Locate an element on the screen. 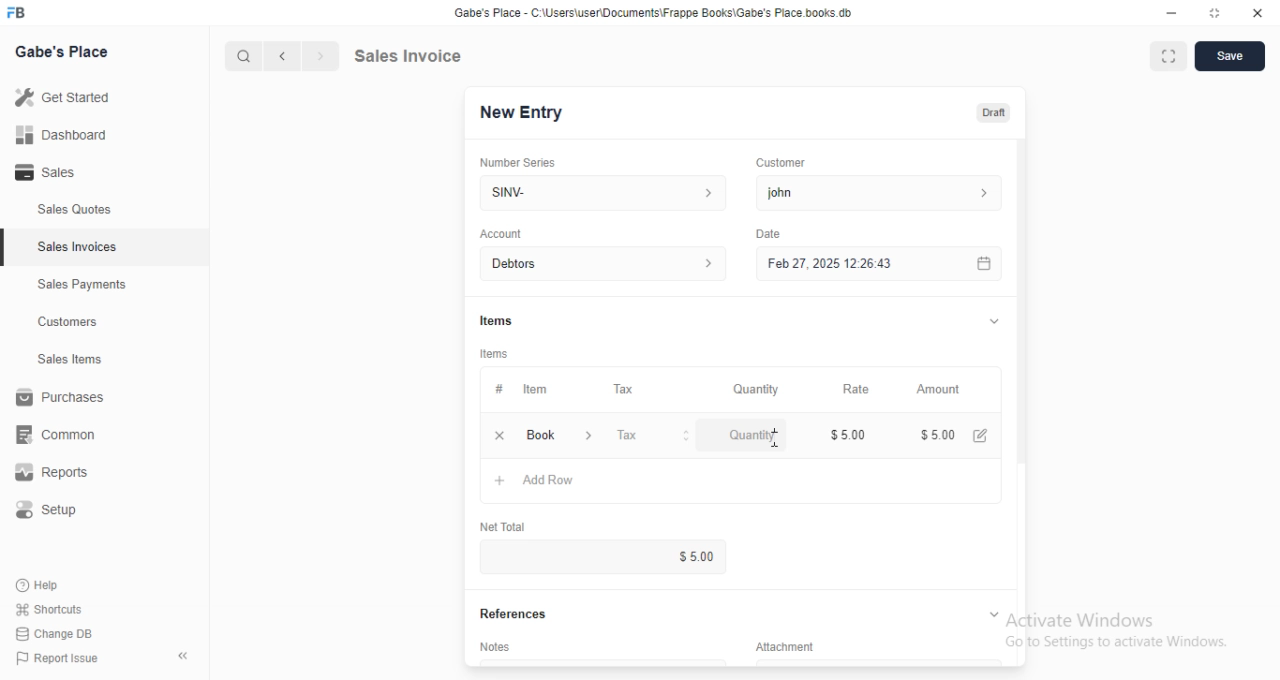 The width and height of the screenshot is (1280, 680). Expand is located at coordinates (993, 612).